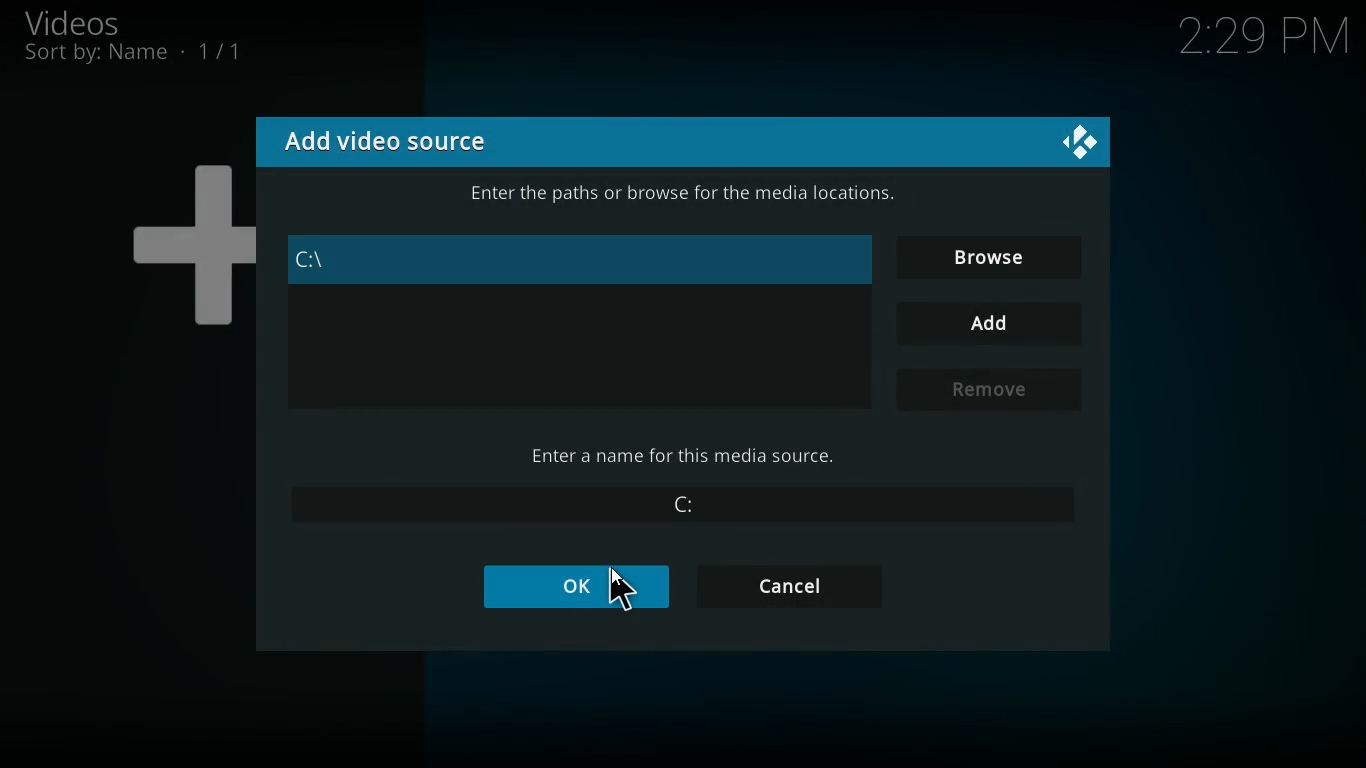 The width and height of the screenshot is (1366, 768). Describe the element at coordinates (679, 507) in the screenshot. I see `C:` at that location.